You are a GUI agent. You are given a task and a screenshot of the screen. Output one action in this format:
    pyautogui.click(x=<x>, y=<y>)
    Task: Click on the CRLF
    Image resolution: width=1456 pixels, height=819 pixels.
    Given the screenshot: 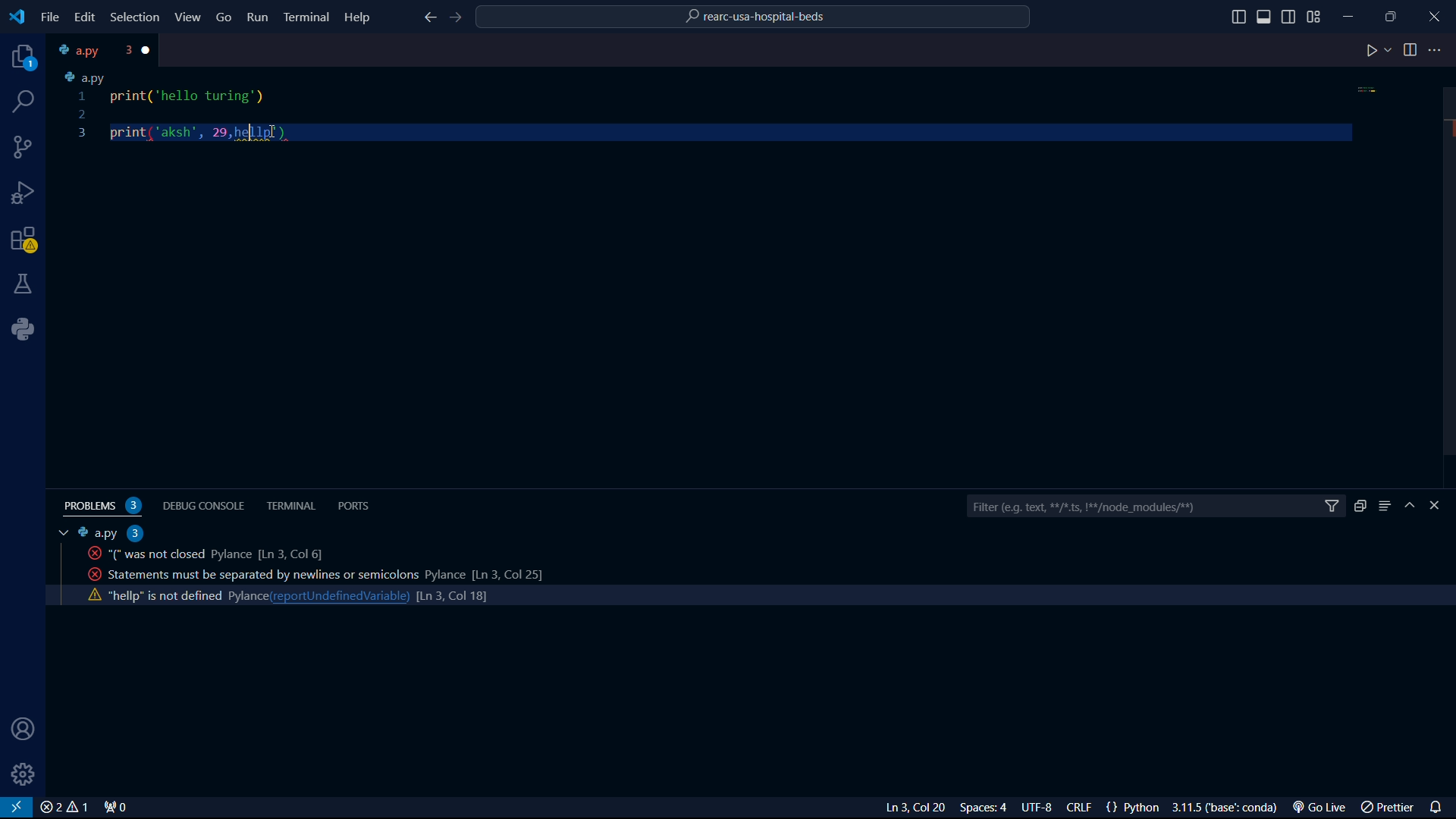 What is the action you would take?
    pyautogui.click(x=1082, y=808)
    